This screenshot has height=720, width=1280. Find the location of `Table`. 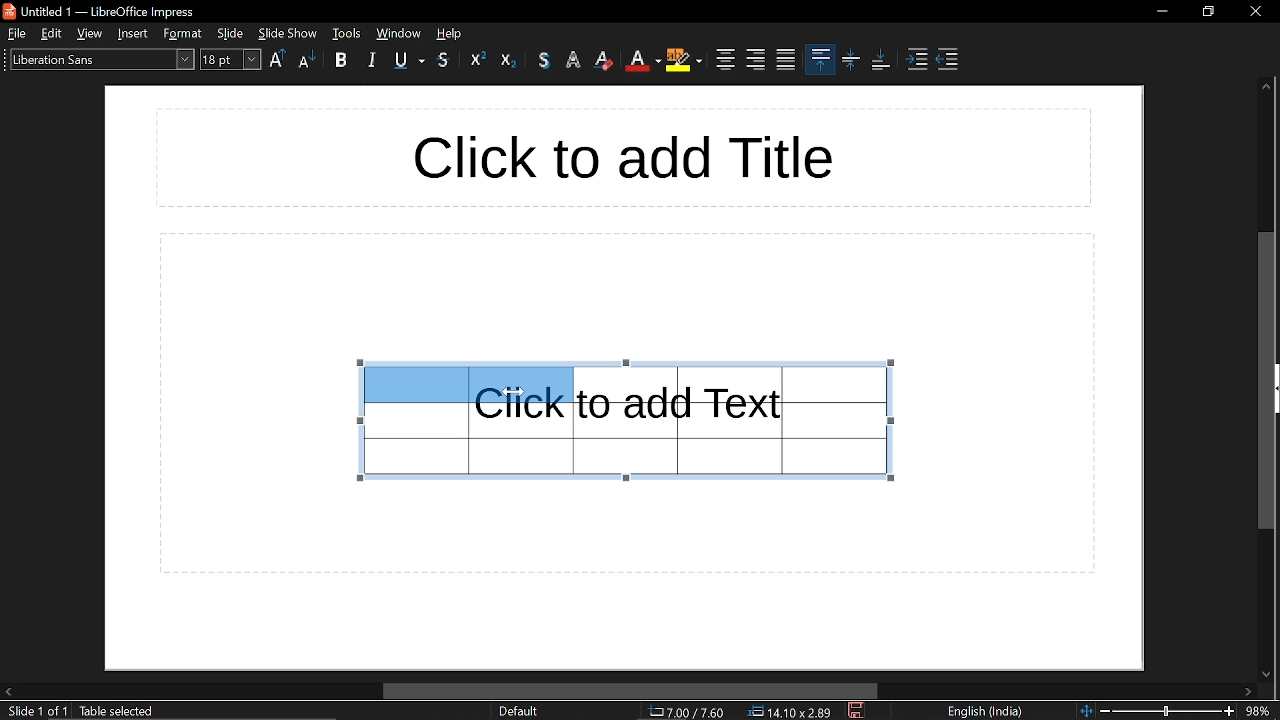

Table is located at coordinates (744, 420).